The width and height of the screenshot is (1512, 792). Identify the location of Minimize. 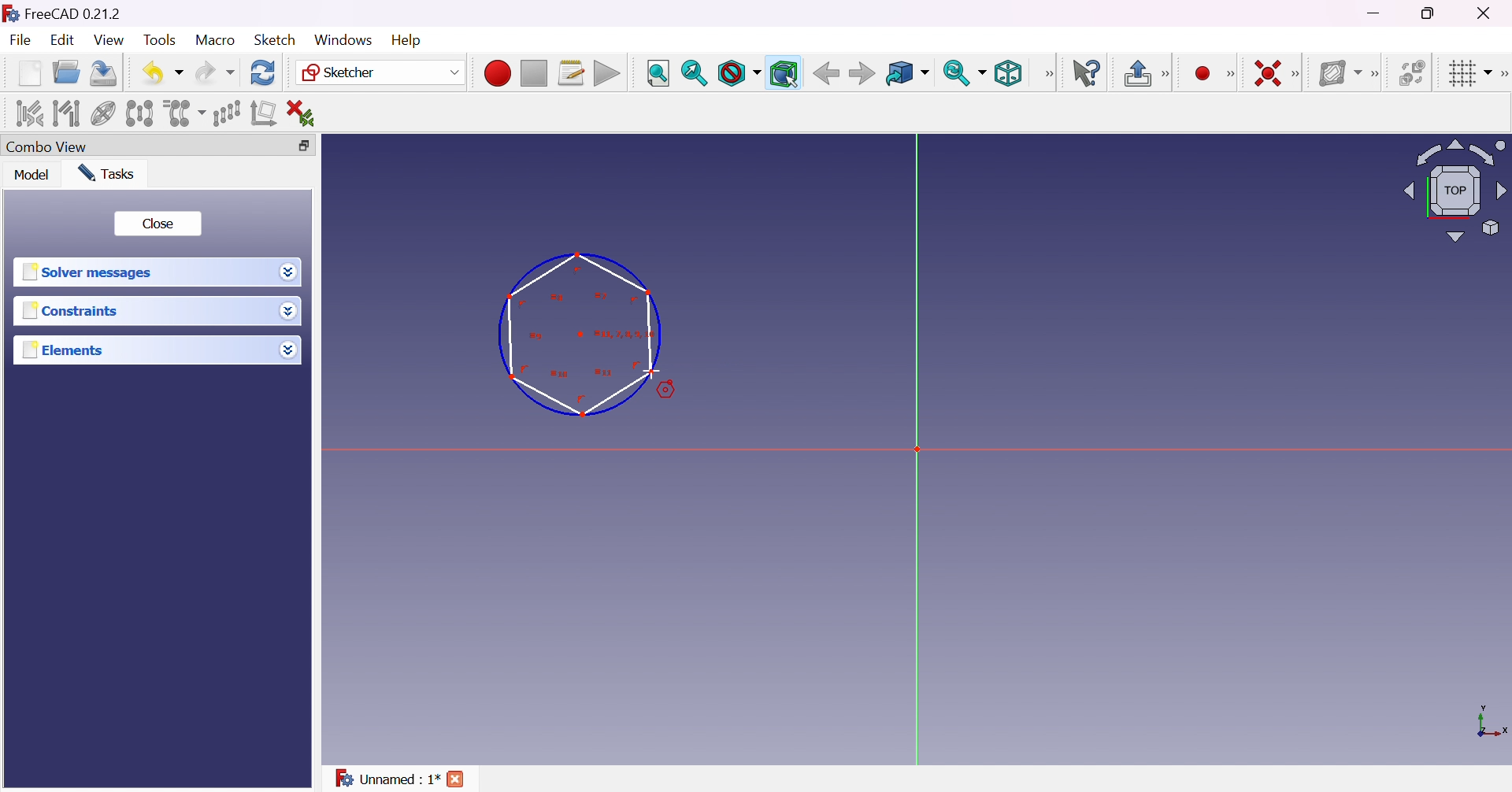
(1376, 13).